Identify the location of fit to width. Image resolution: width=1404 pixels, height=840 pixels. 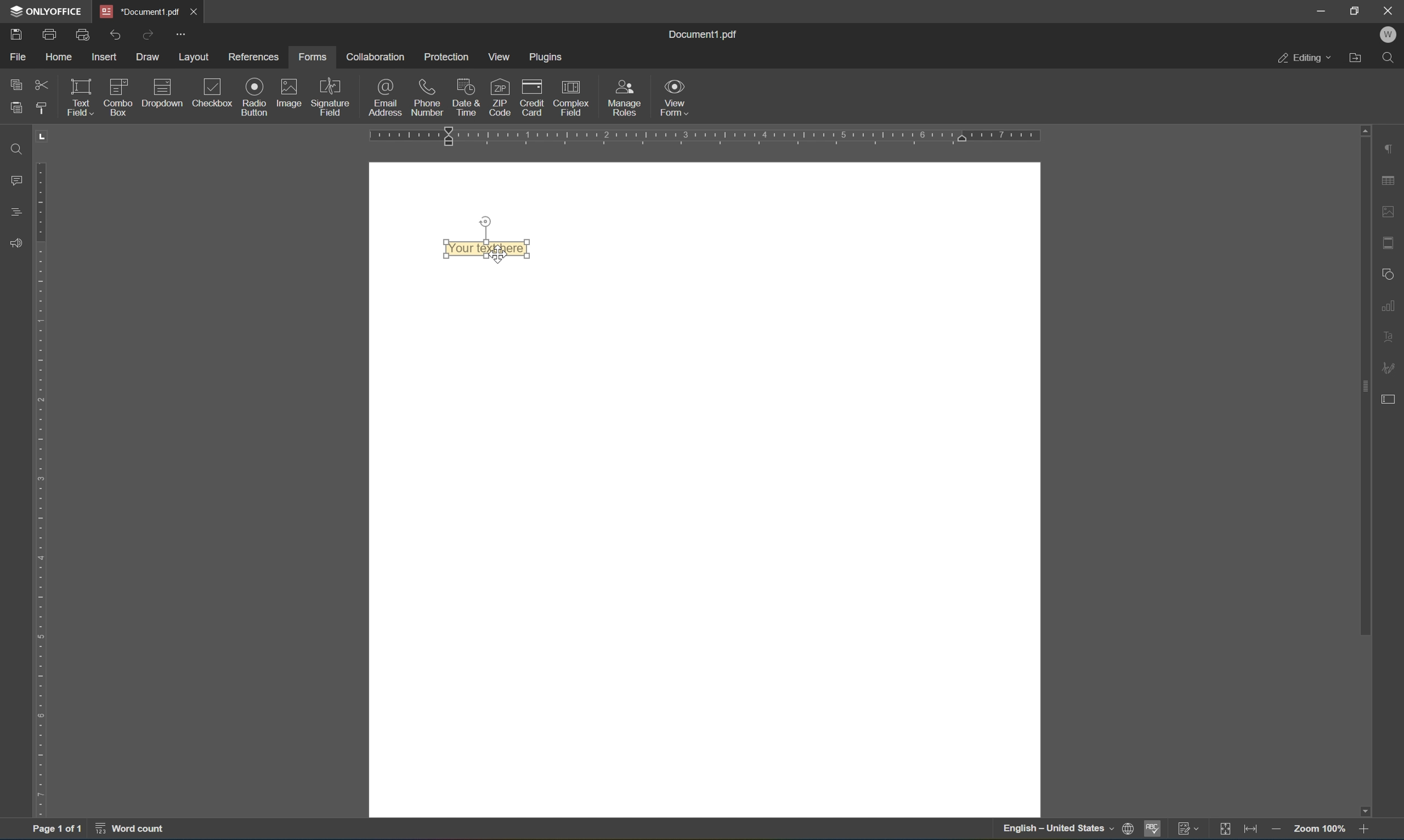
(1251, 832).